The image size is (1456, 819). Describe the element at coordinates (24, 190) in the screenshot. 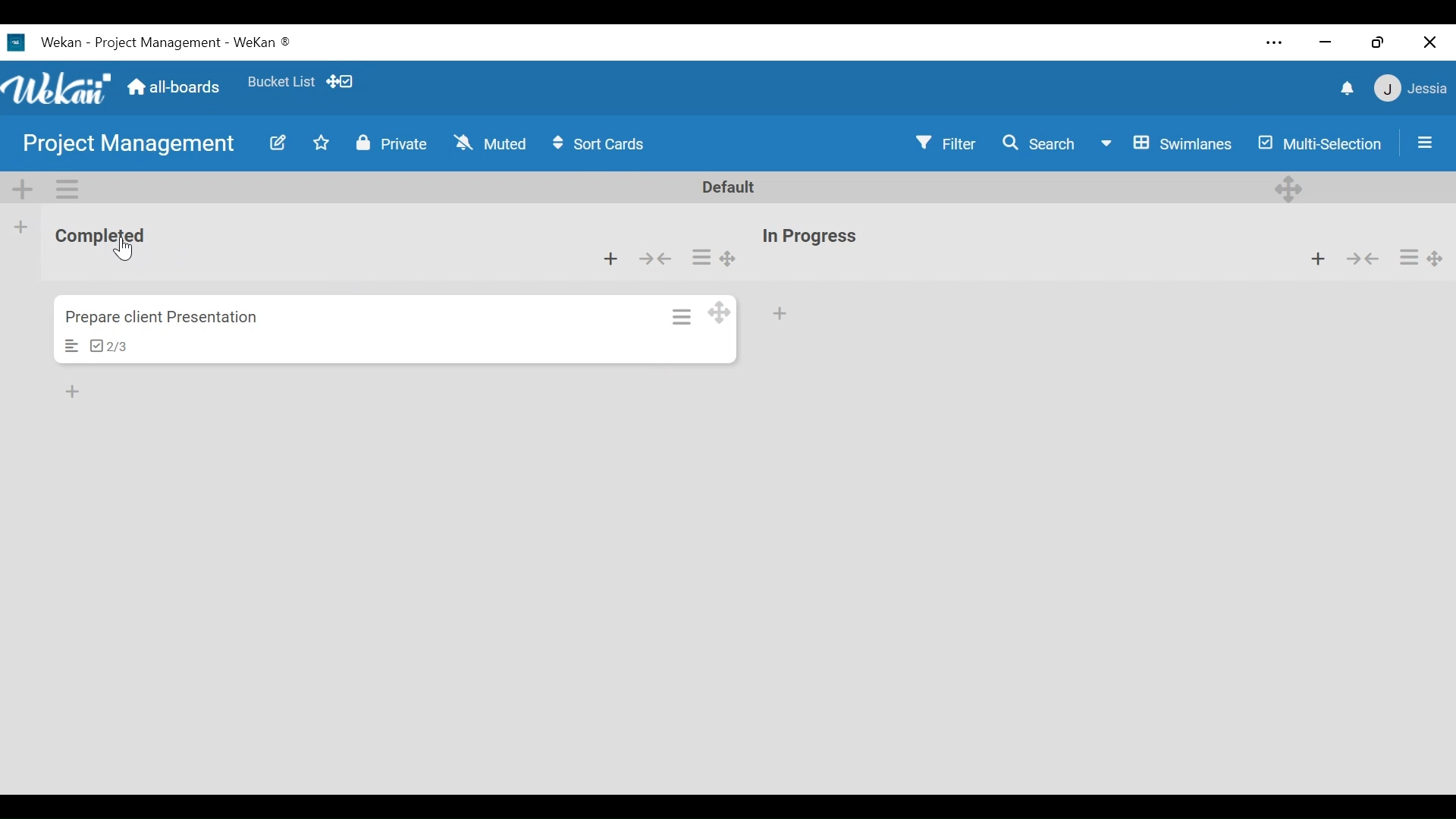

I see `Add Swimlane` at that location.